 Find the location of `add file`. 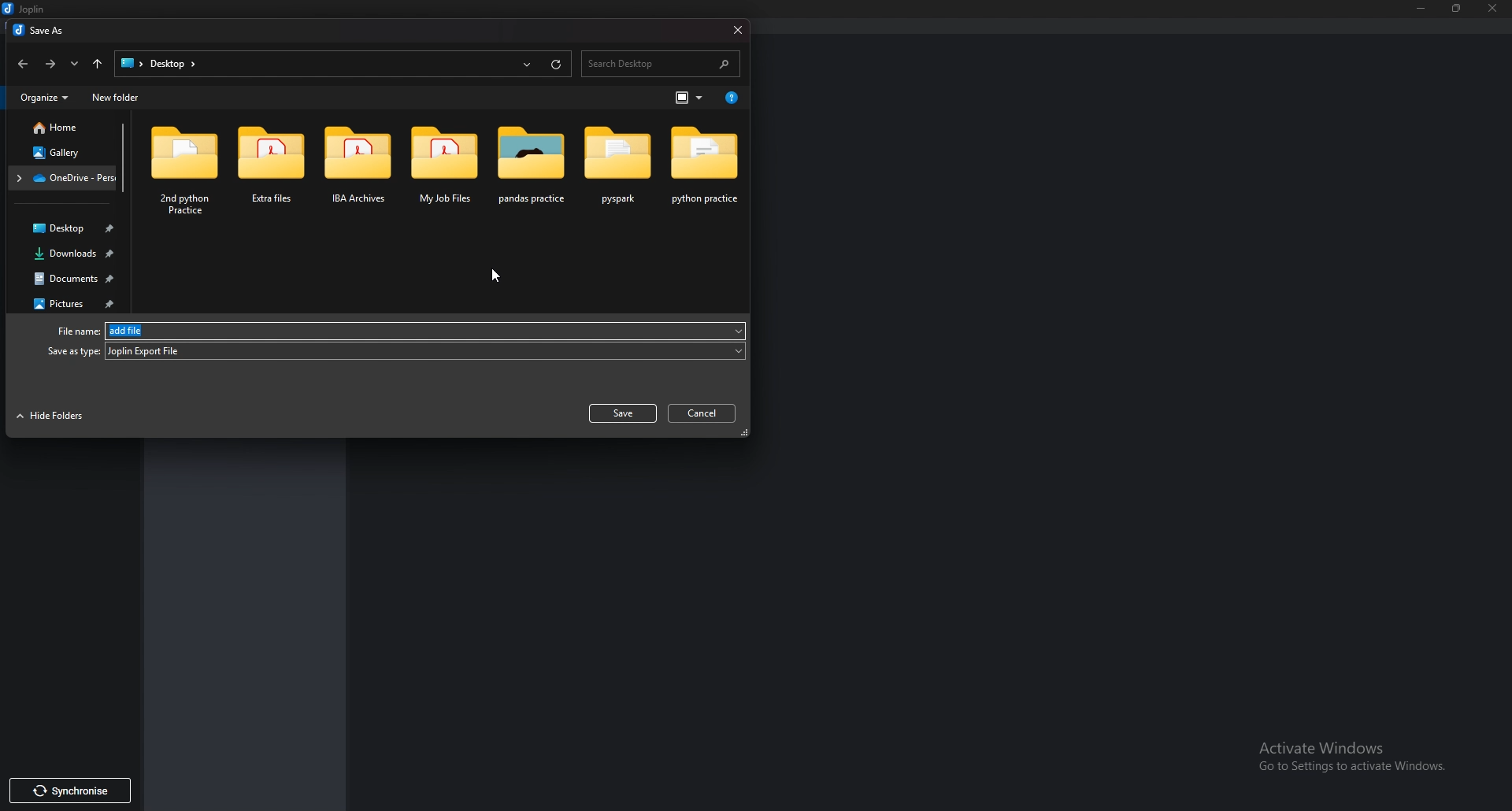

add file is located at coordinates (428, 330).